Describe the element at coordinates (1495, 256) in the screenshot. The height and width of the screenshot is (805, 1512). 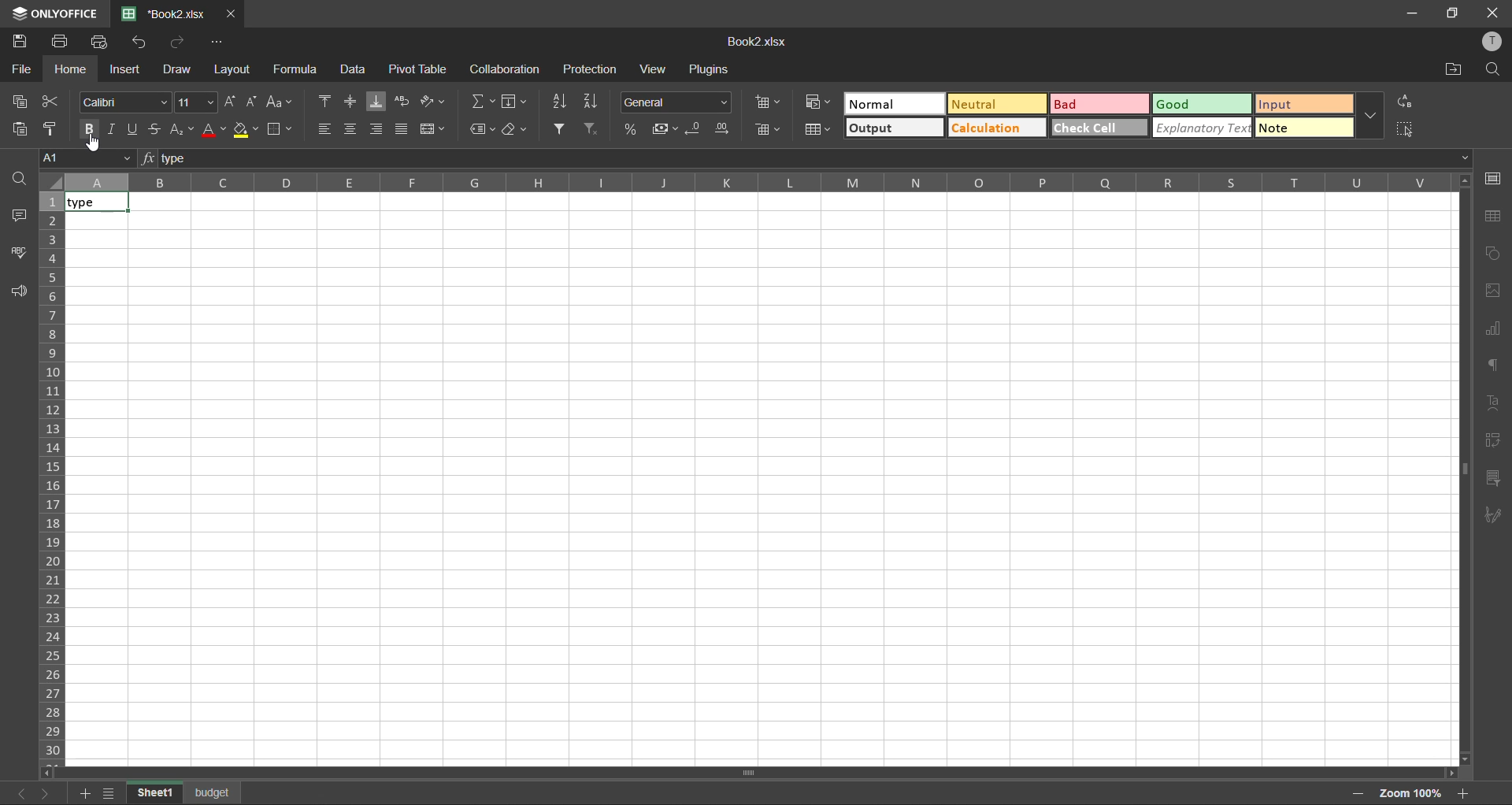
I see `shapes` at that location.